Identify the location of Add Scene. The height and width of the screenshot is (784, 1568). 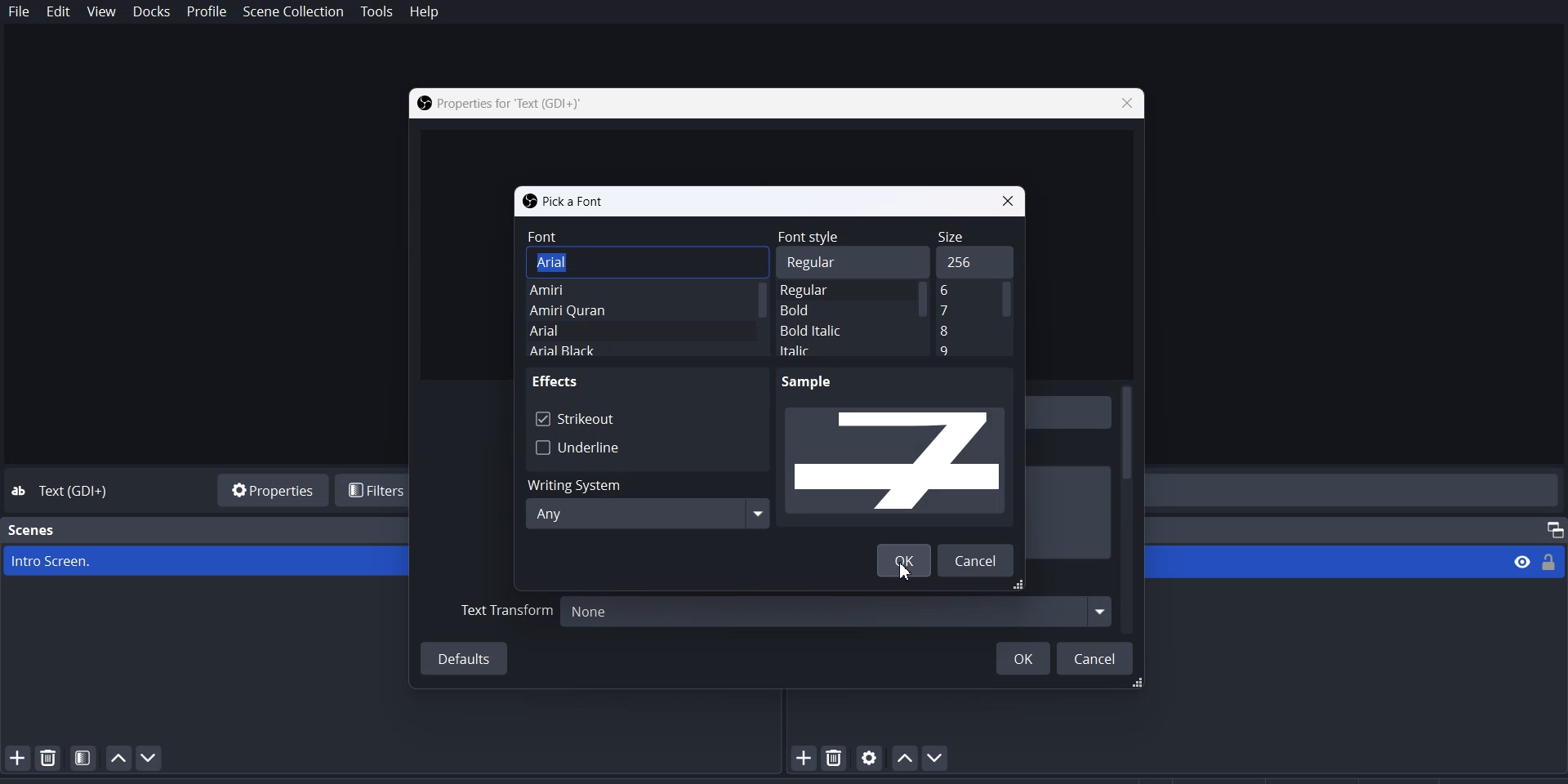
(15, 757).